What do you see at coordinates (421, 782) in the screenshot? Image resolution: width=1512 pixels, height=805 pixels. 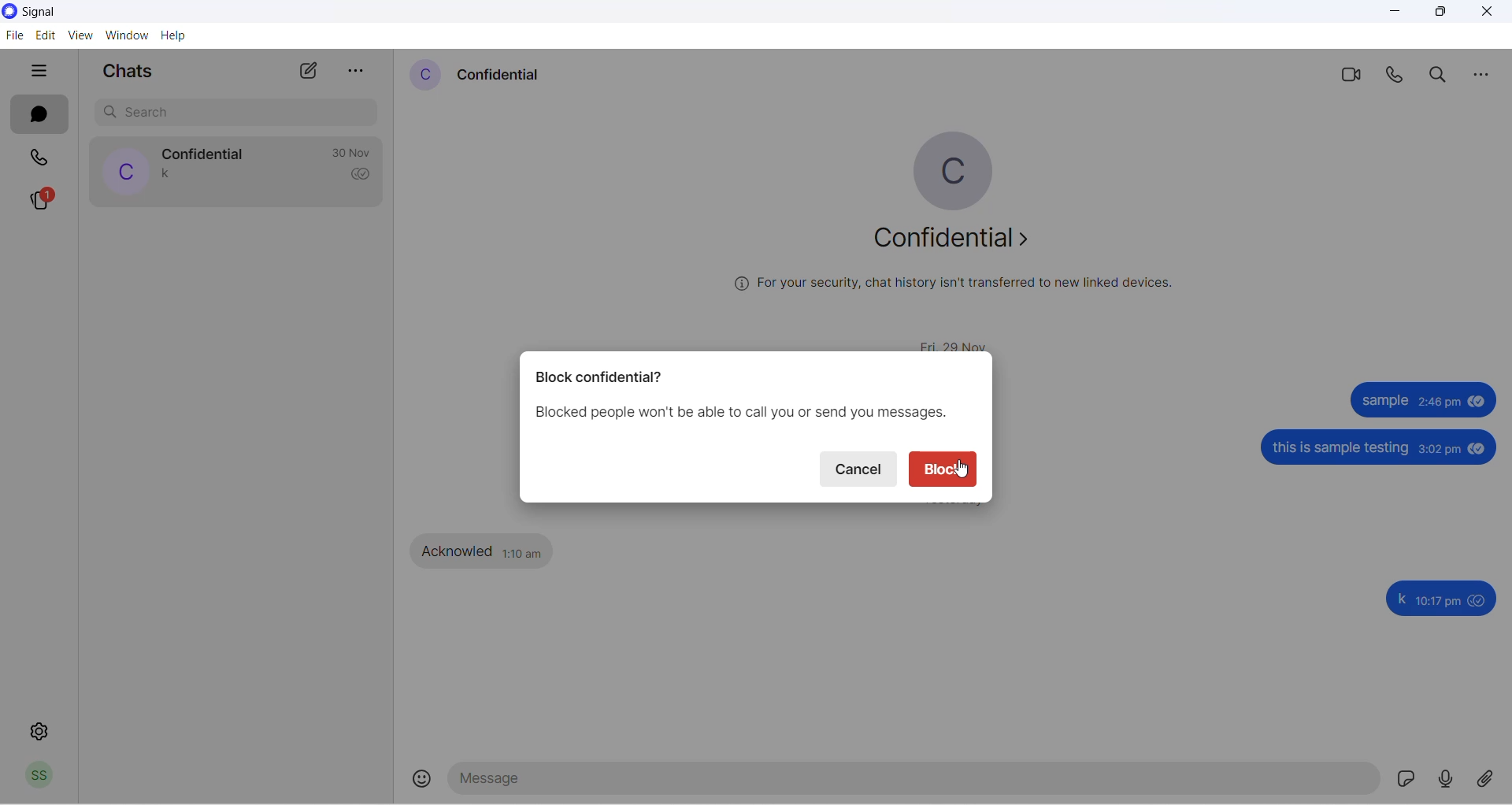 I see `emojis` at bounding box center [421, 782].